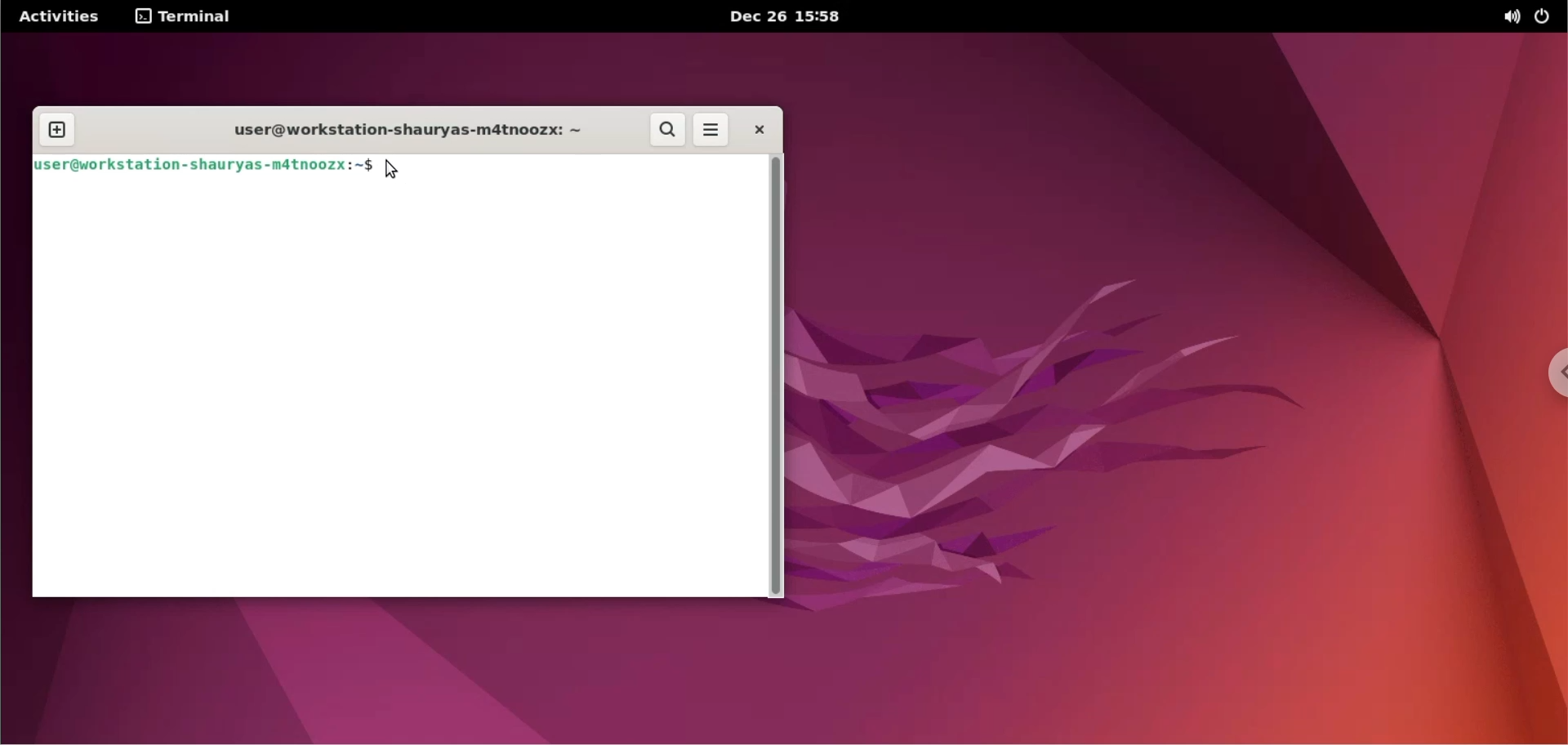  What do you see at coordinates (395, 170) in the screenshot?
I see `cursor` at bounding box center [395, 170].